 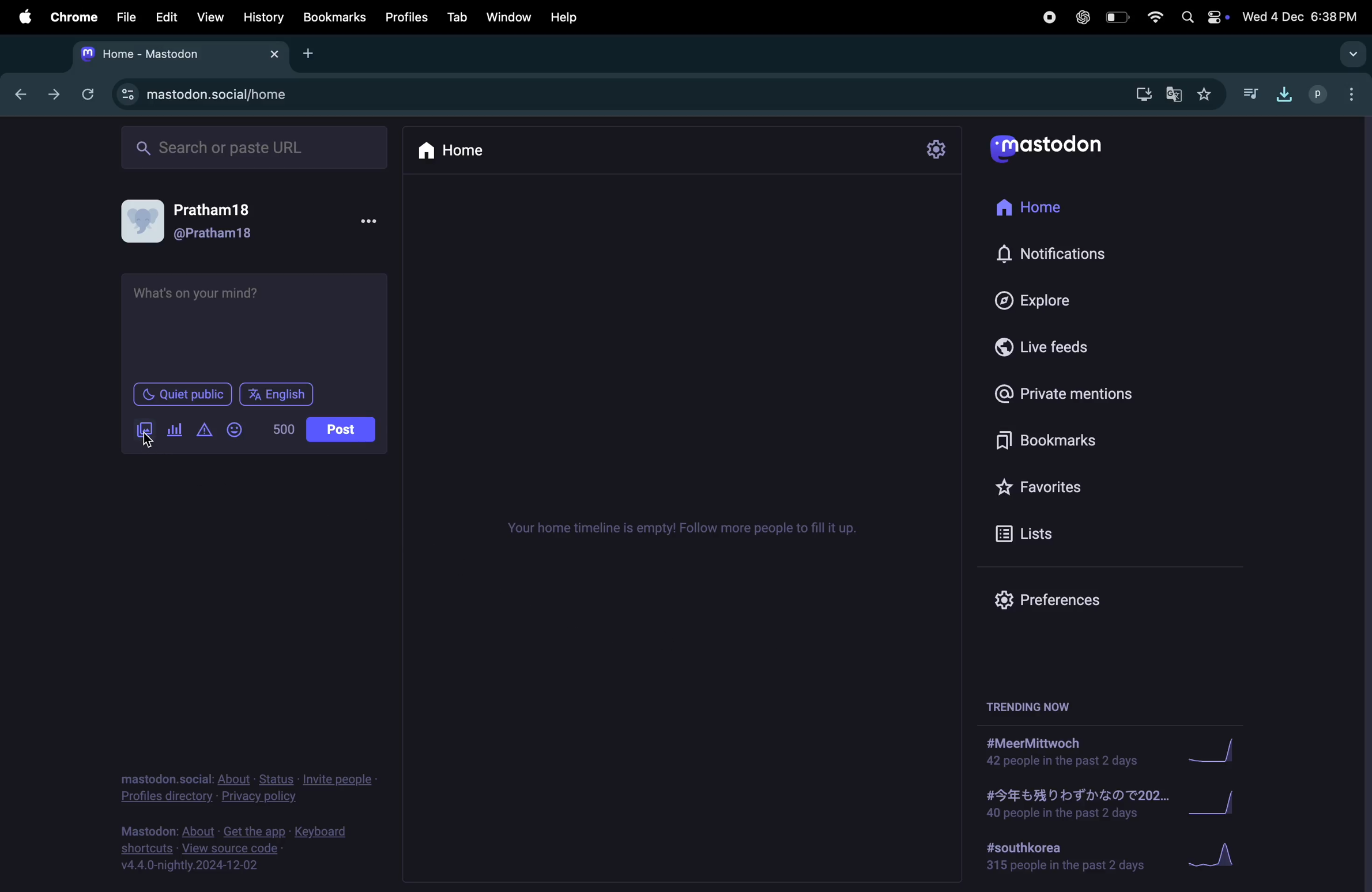 What do you see at coordinates (408, 17) in the screenshot?
I see `profiles` at bounding box center [408, 17].